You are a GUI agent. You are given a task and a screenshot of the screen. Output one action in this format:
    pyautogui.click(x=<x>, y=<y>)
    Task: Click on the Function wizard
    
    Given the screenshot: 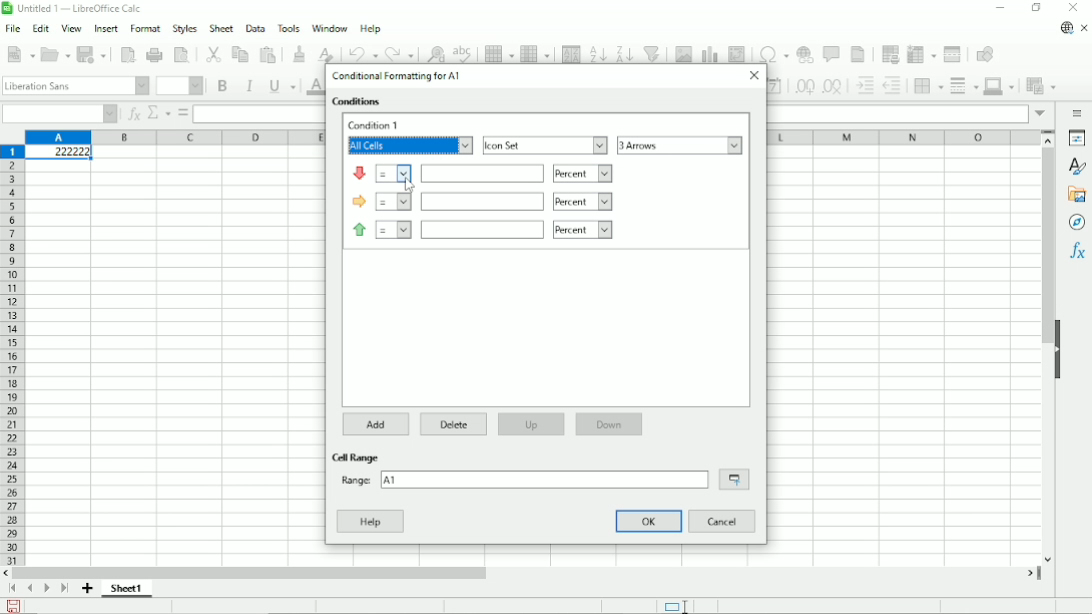 What is the action you would take?
    pyautogui.click(x=132, y=114)
    